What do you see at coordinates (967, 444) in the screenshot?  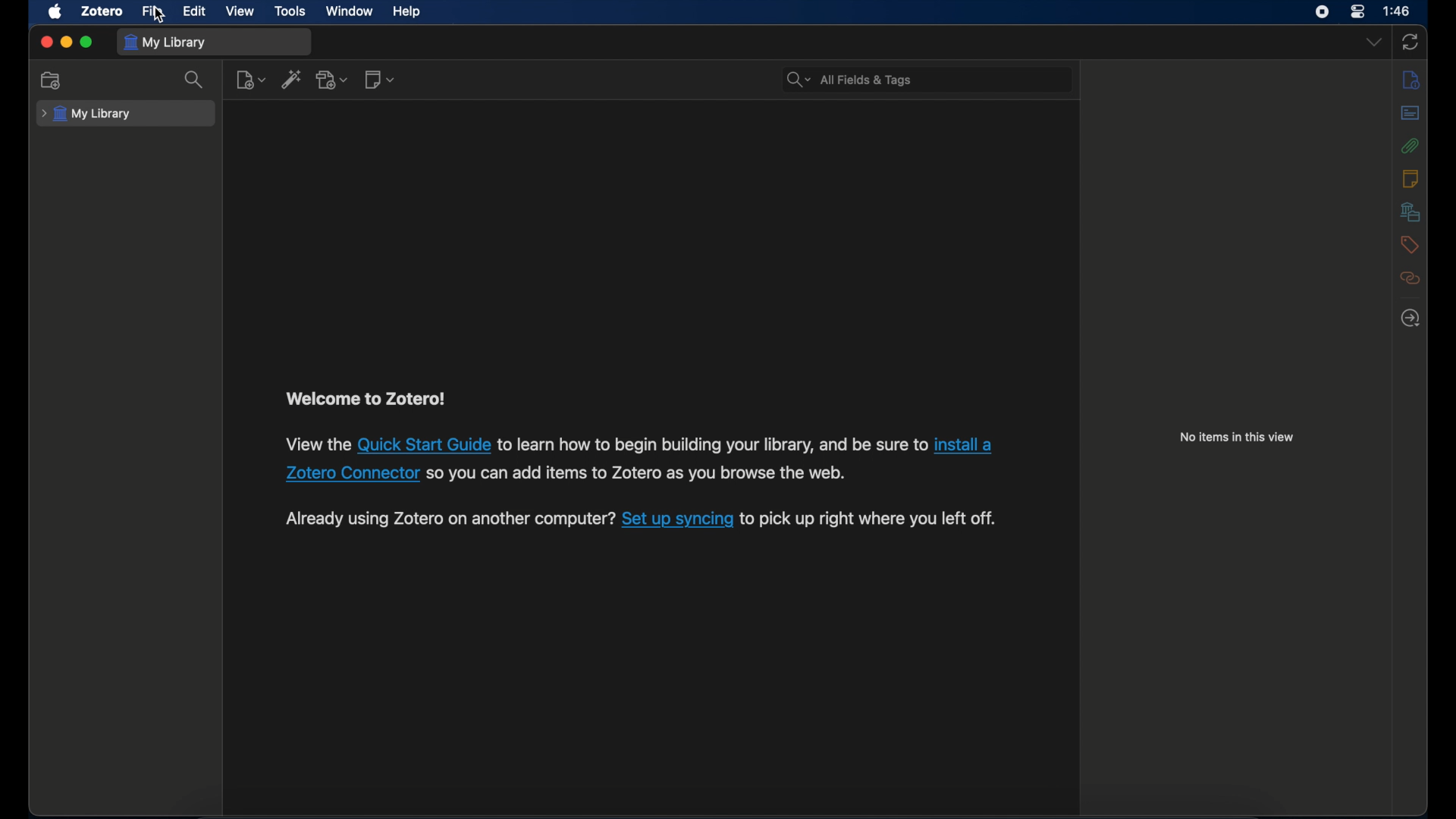 I see `install a` at bounding box center [967, 444].